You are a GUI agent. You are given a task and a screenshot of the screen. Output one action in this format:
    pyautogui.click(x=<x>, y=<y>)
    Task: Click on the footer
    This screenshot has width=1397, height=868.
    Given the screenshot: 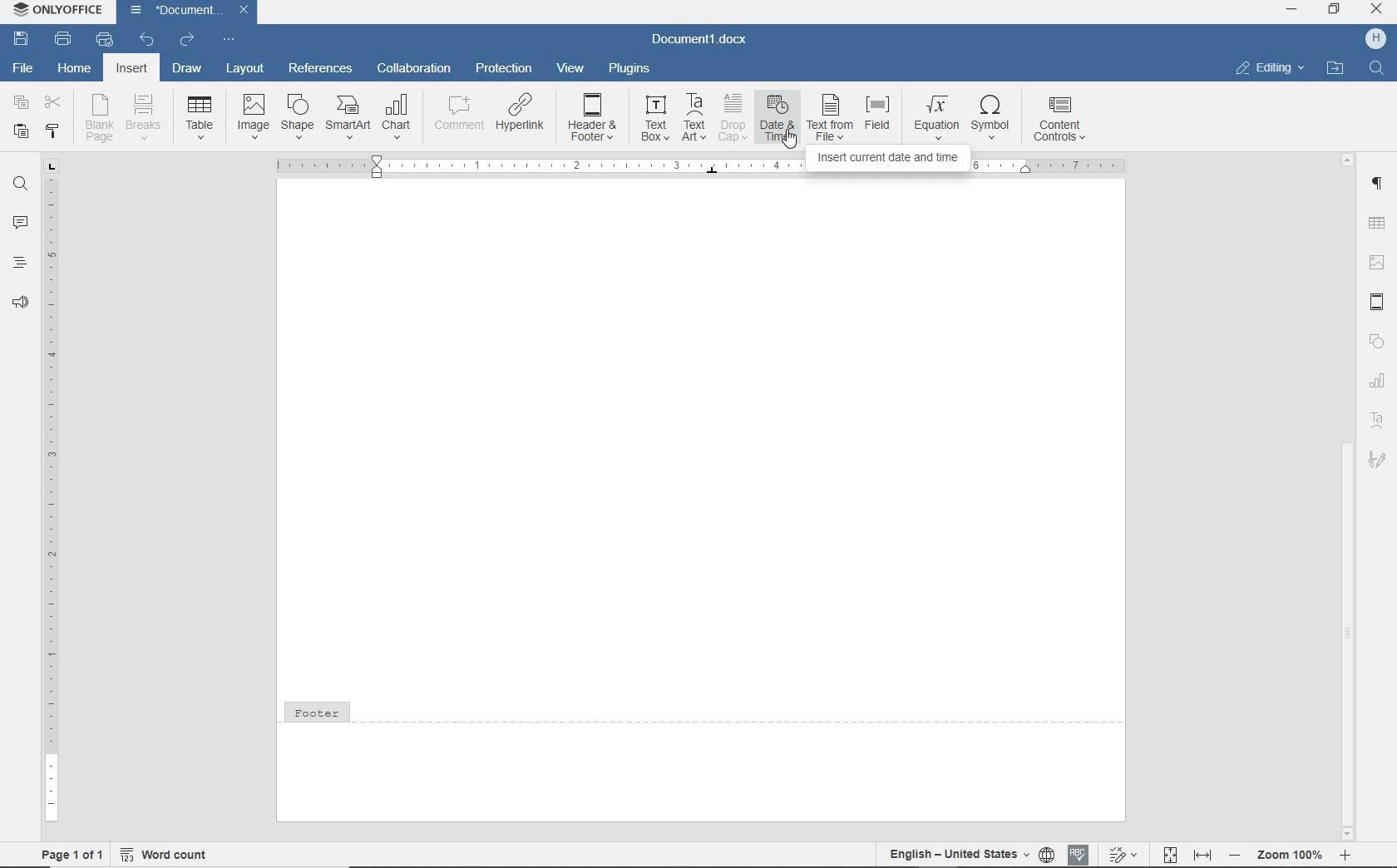 What is the action you would take?
    pyautogui.click(x=701, y=758)
    